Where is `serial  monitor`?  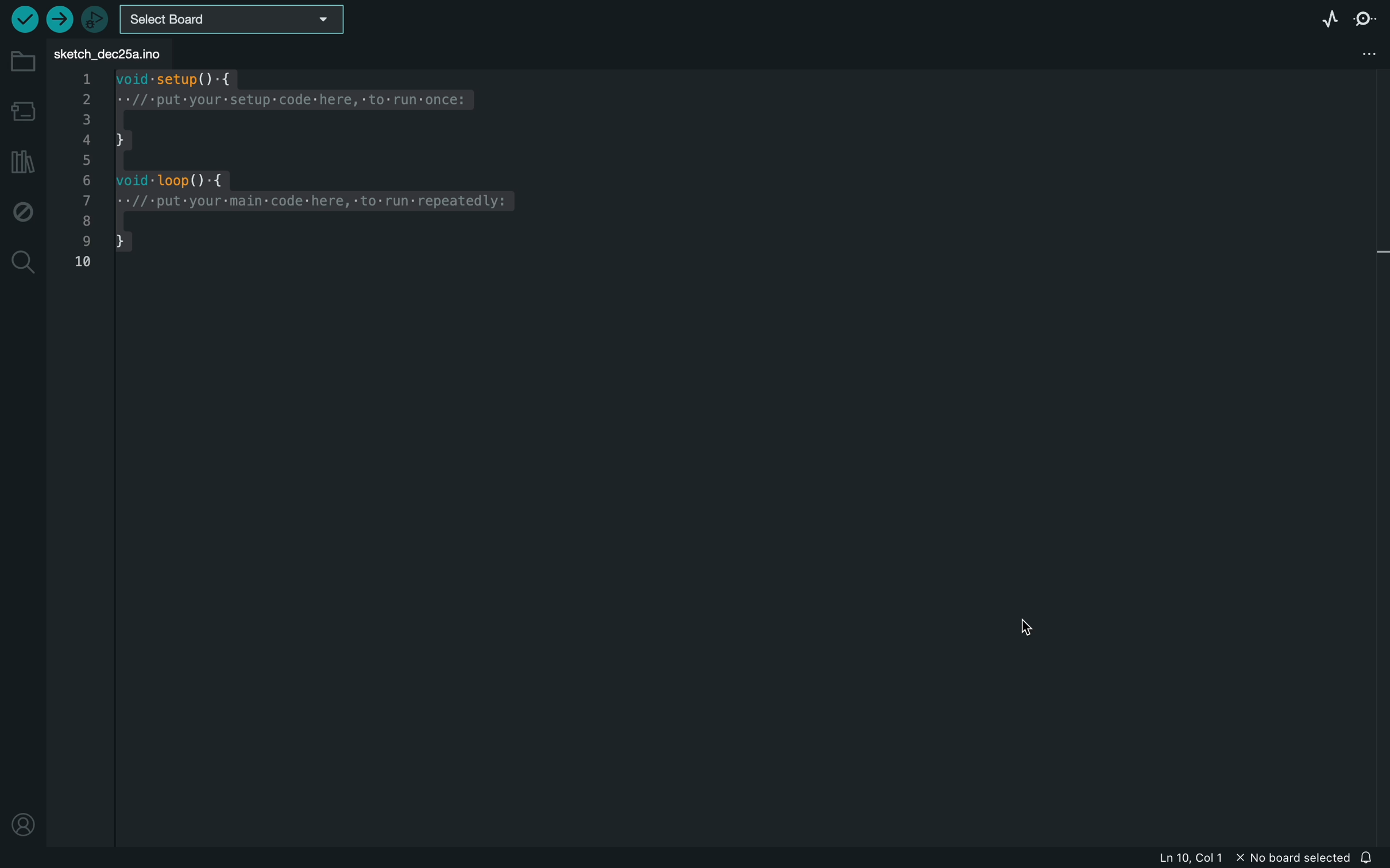 serial  monitor is located at coordinates (1366, 17).